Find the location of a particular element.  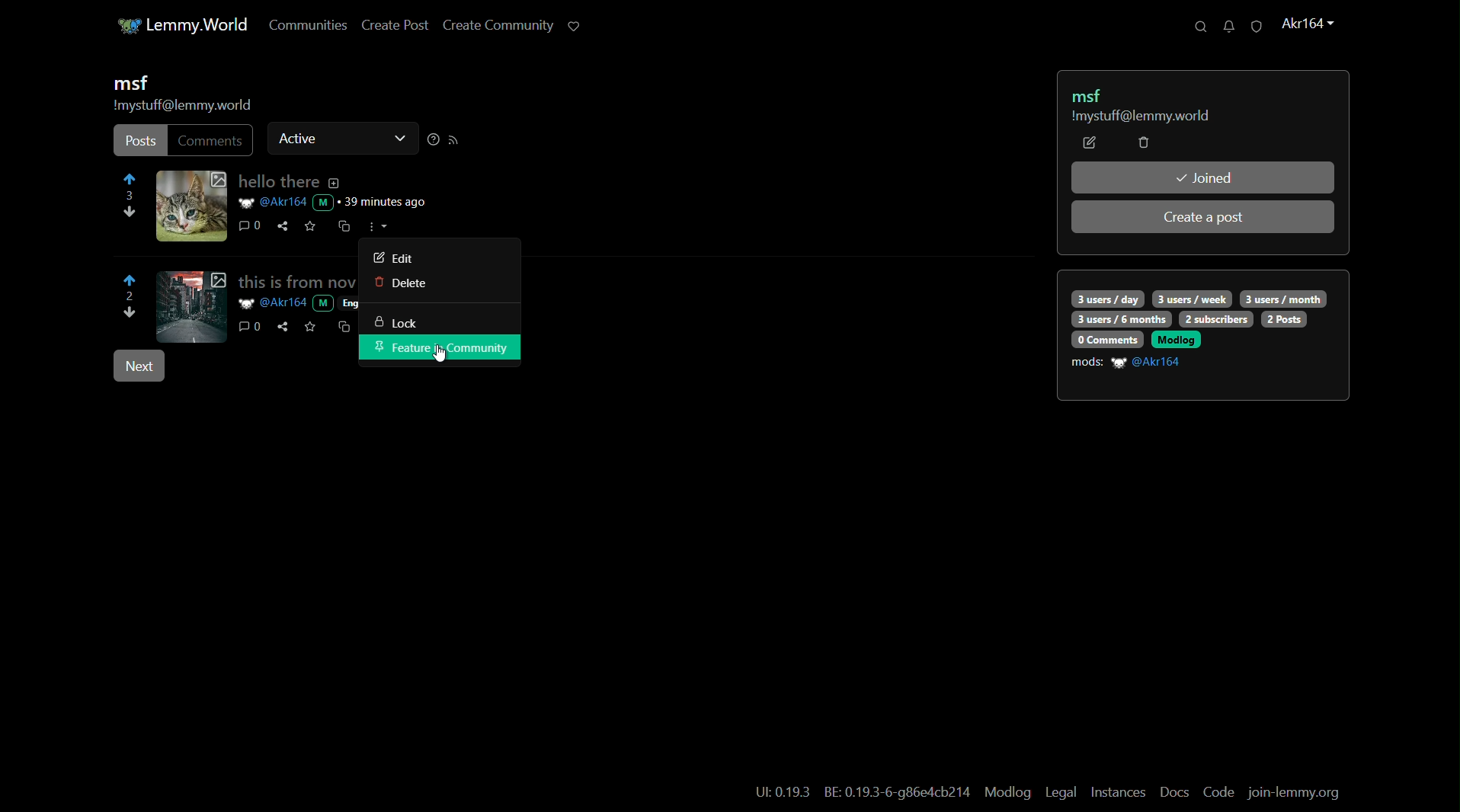

server name is located at coordinates (200, 24).